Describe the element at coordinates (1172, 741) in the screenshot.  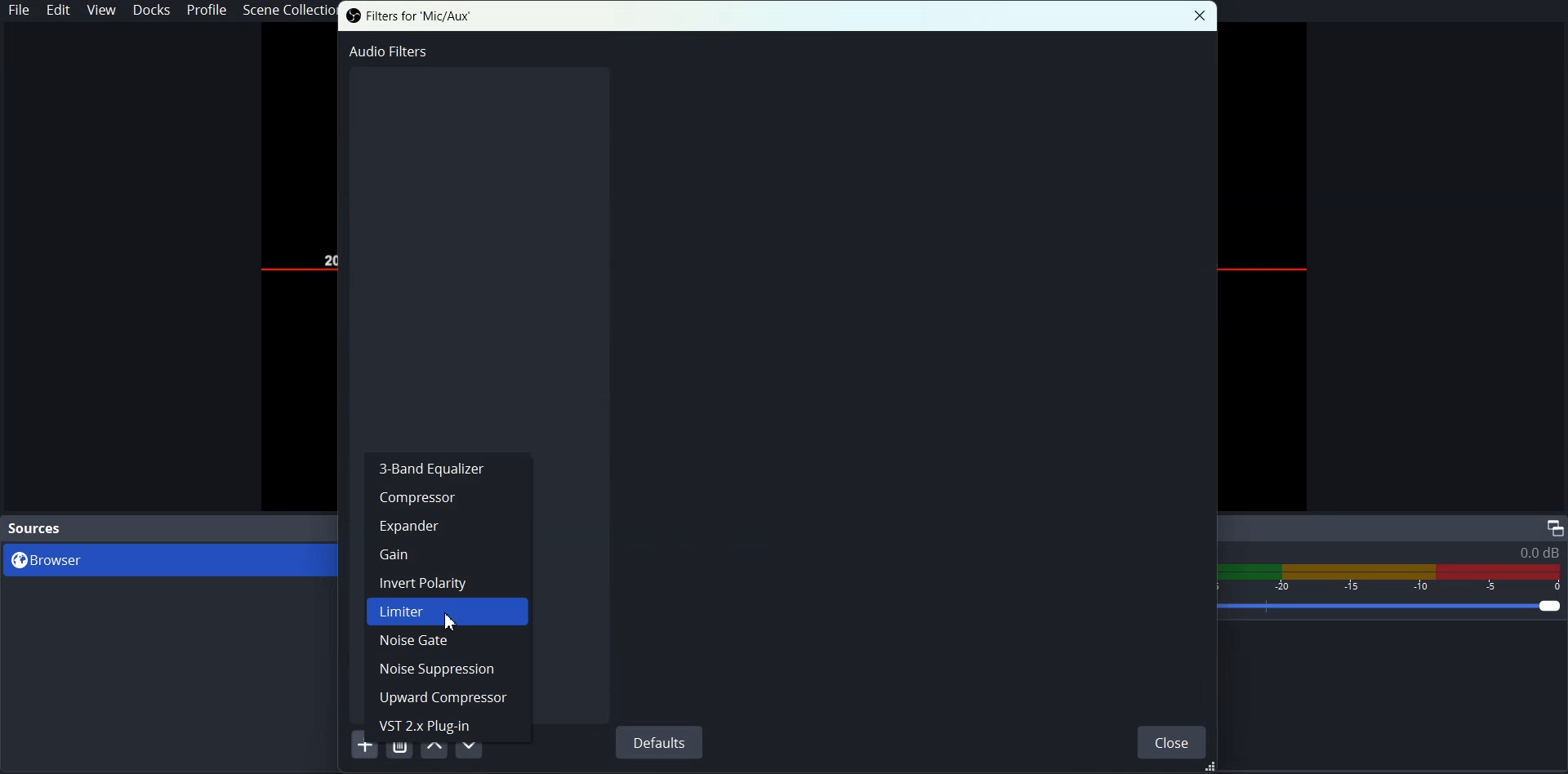
I see `Close` at that location.